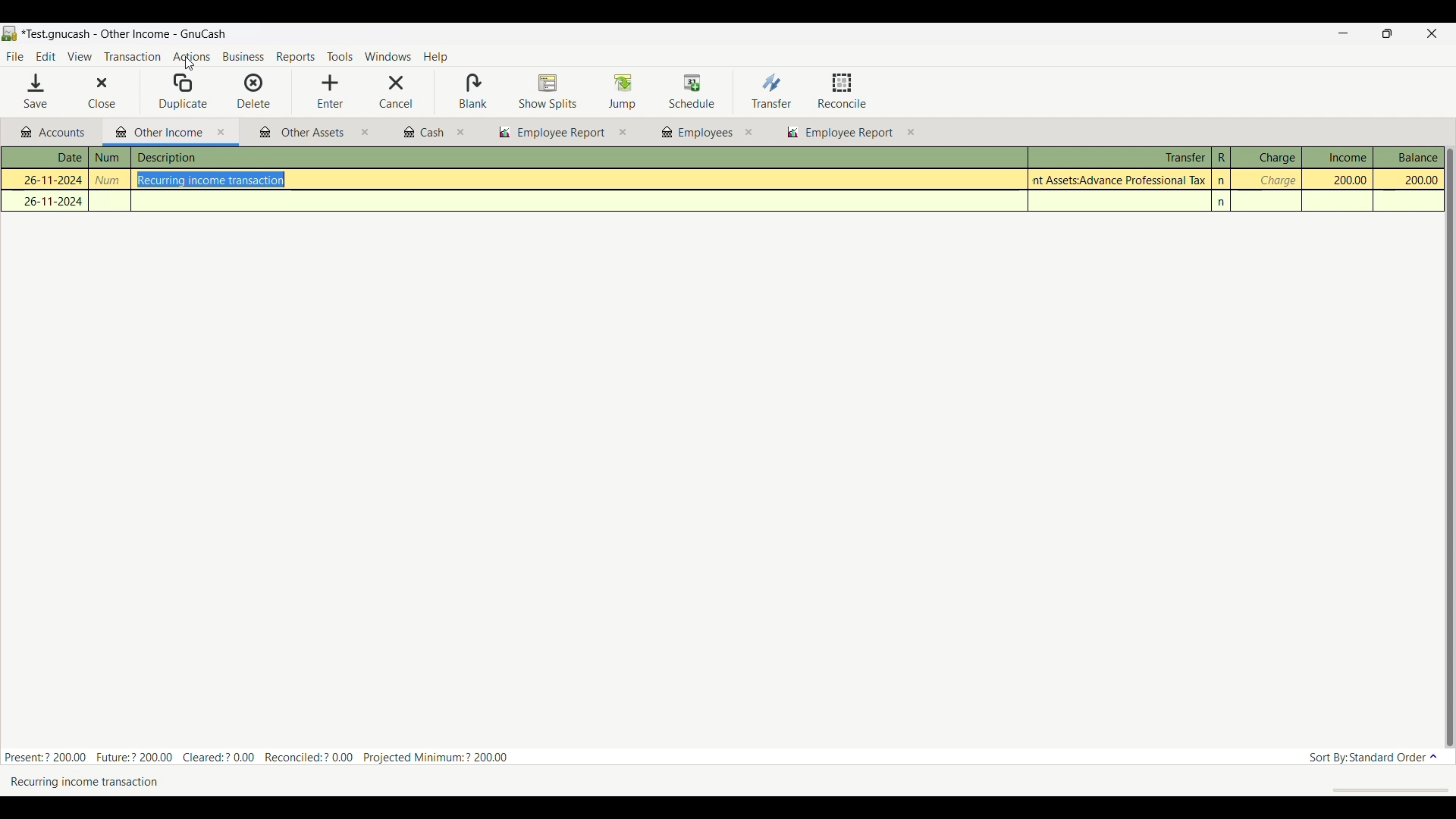  I want to click on Close current tab, so click(221, 133).